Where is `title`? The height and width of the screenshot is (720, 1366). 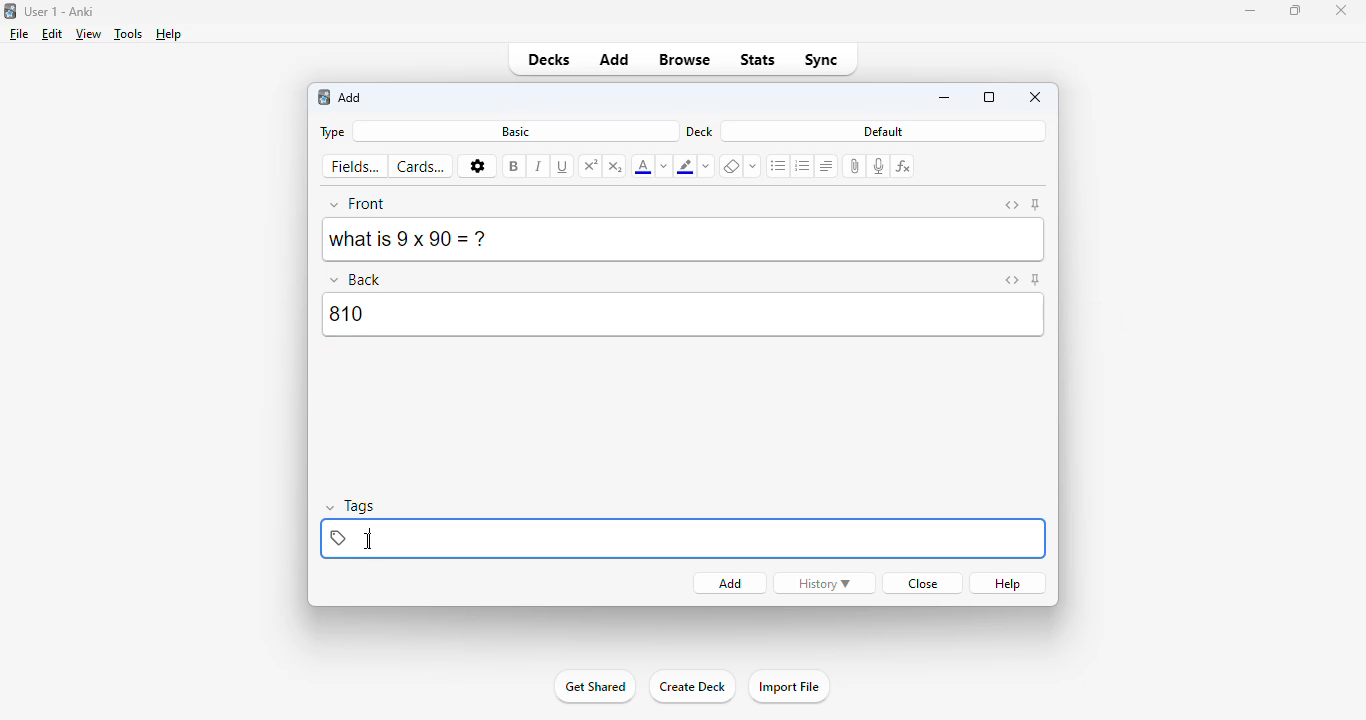
title is located at coordinates (60, 11).